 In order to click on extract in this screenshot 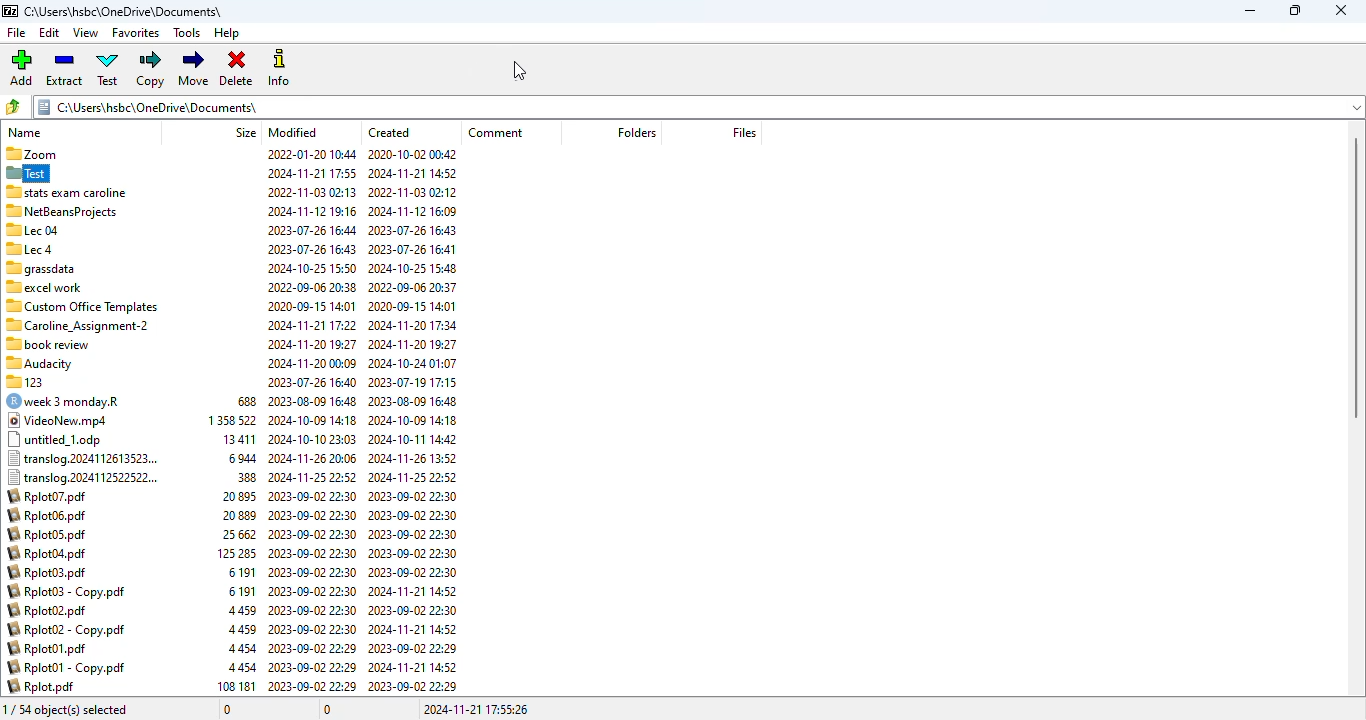, I will do `click(64, 69)`.